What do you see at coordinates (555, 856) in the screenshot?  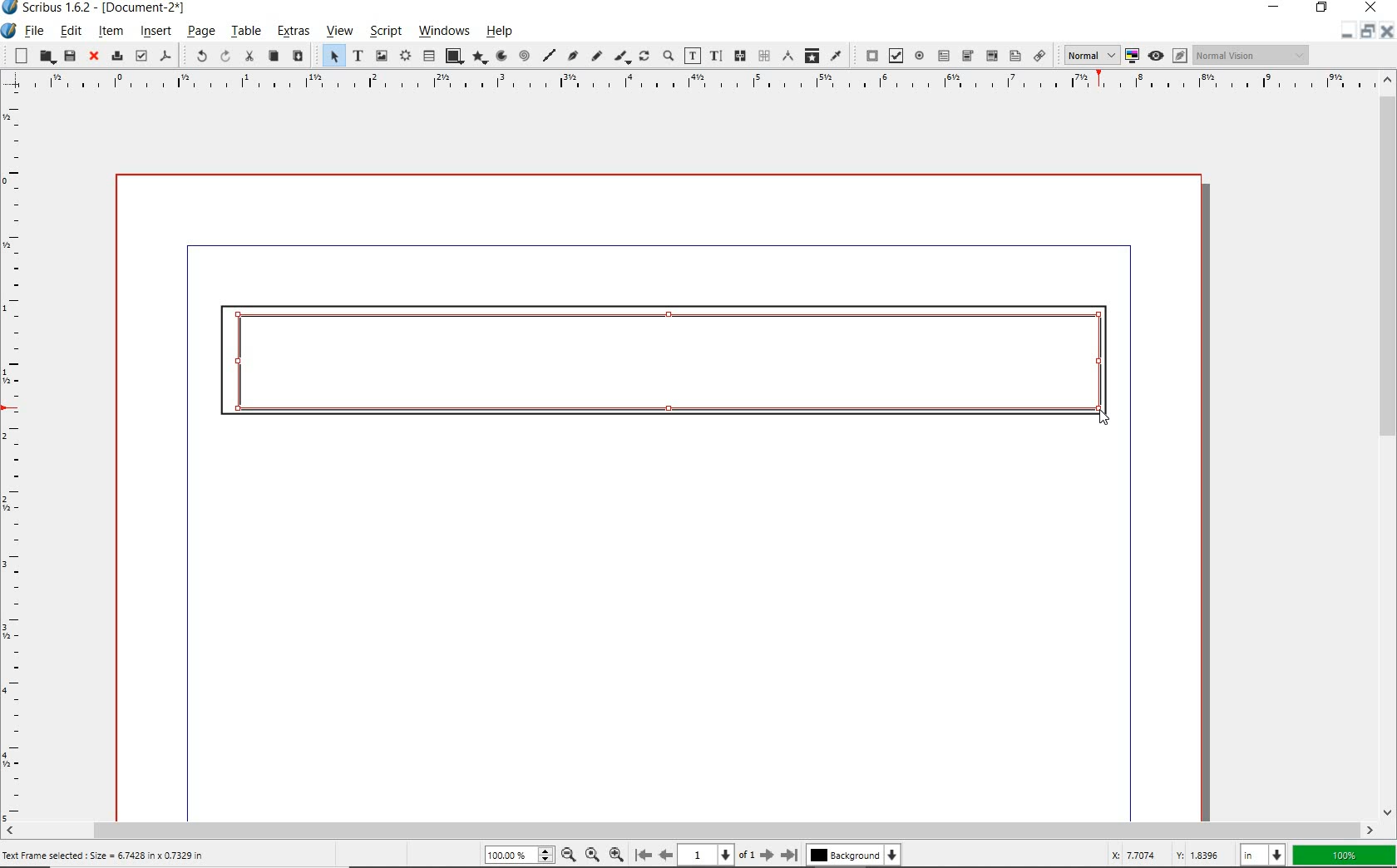 I see `zoom out / zoom to / zoom in` at bounding box center [555, 856].